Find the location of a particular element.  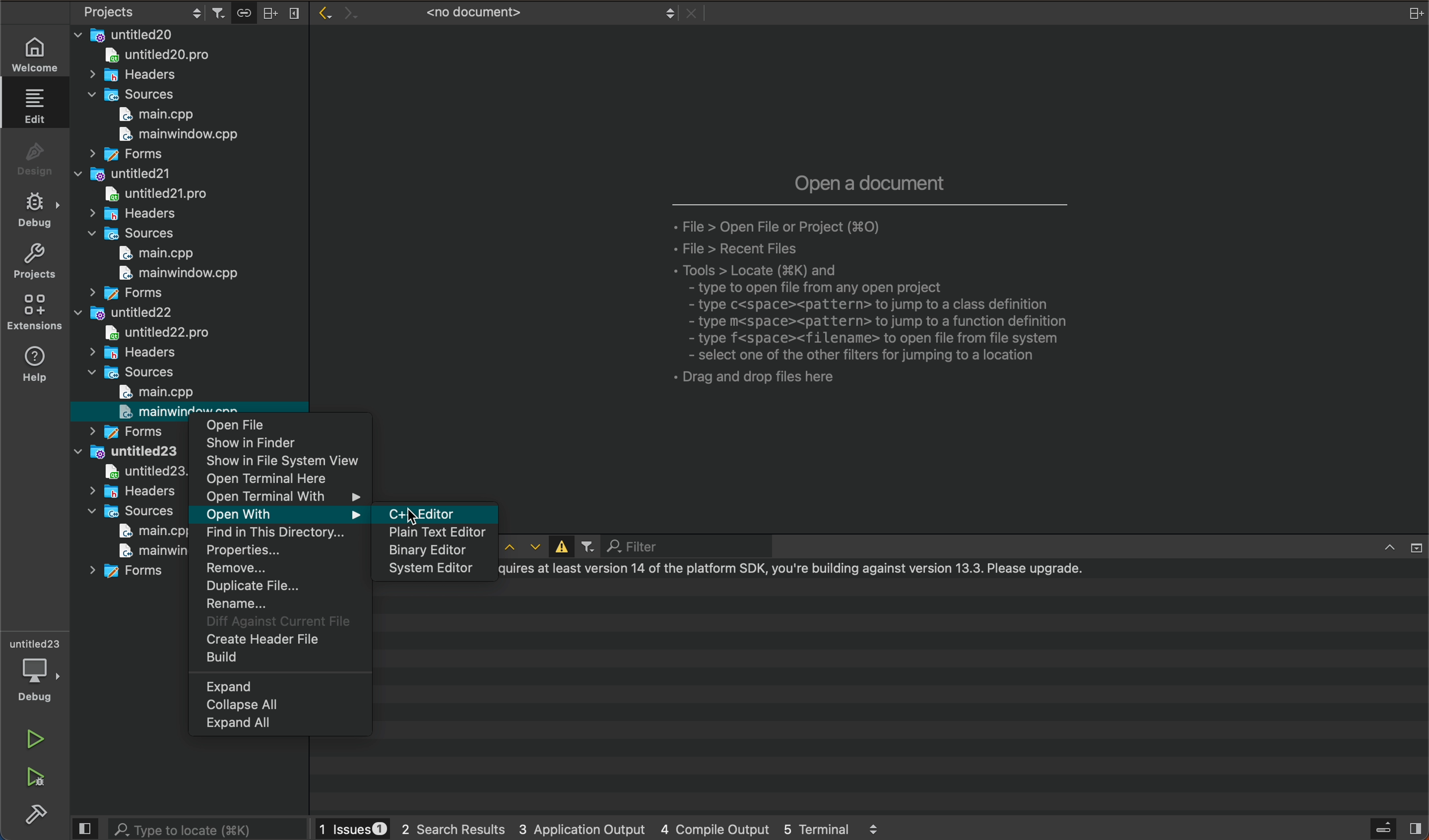

description is located at coordinates (869, 282).